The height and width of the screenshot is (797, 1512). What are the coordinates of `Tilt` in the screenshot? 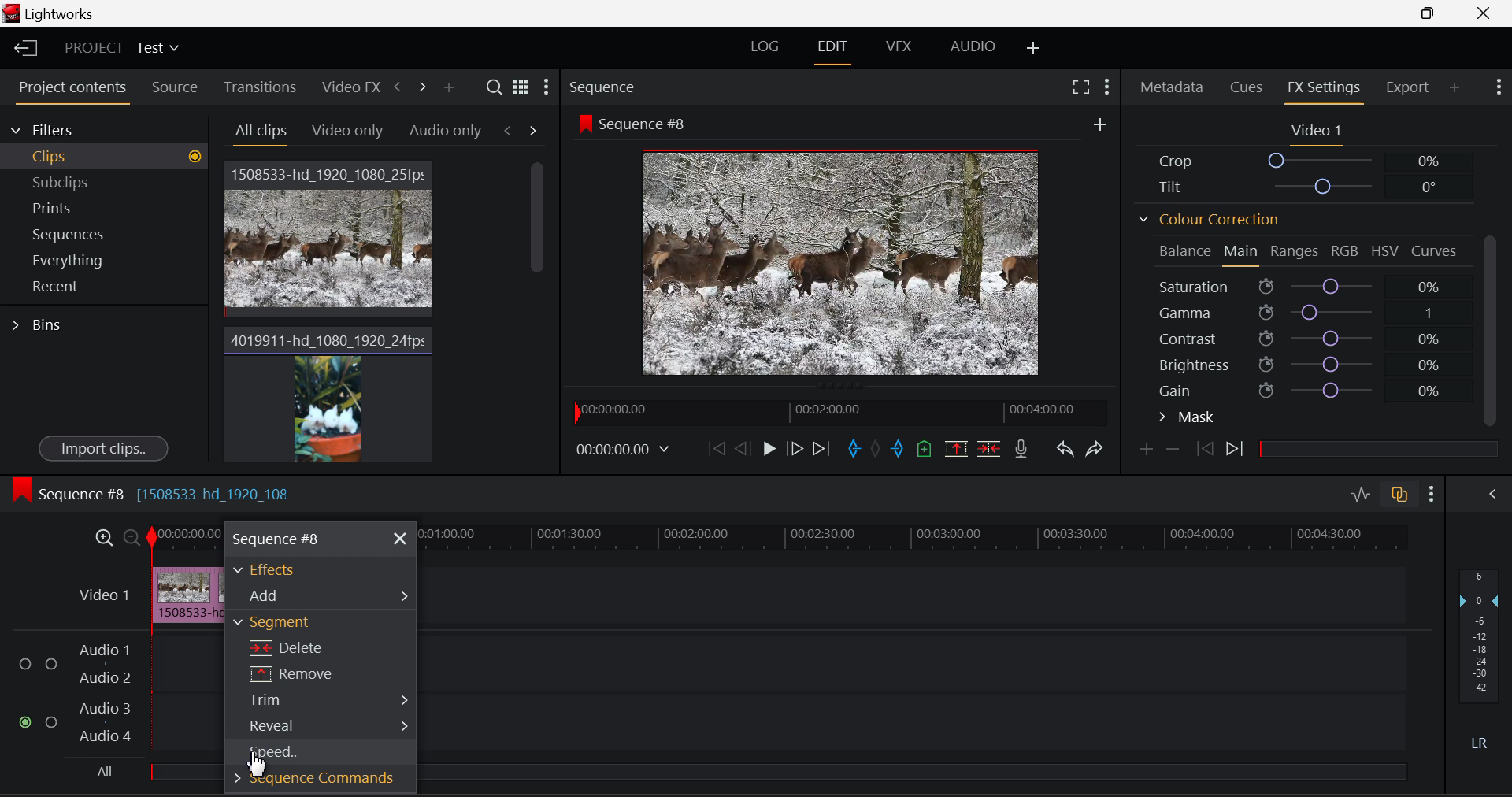 It's located at (1299, 187).